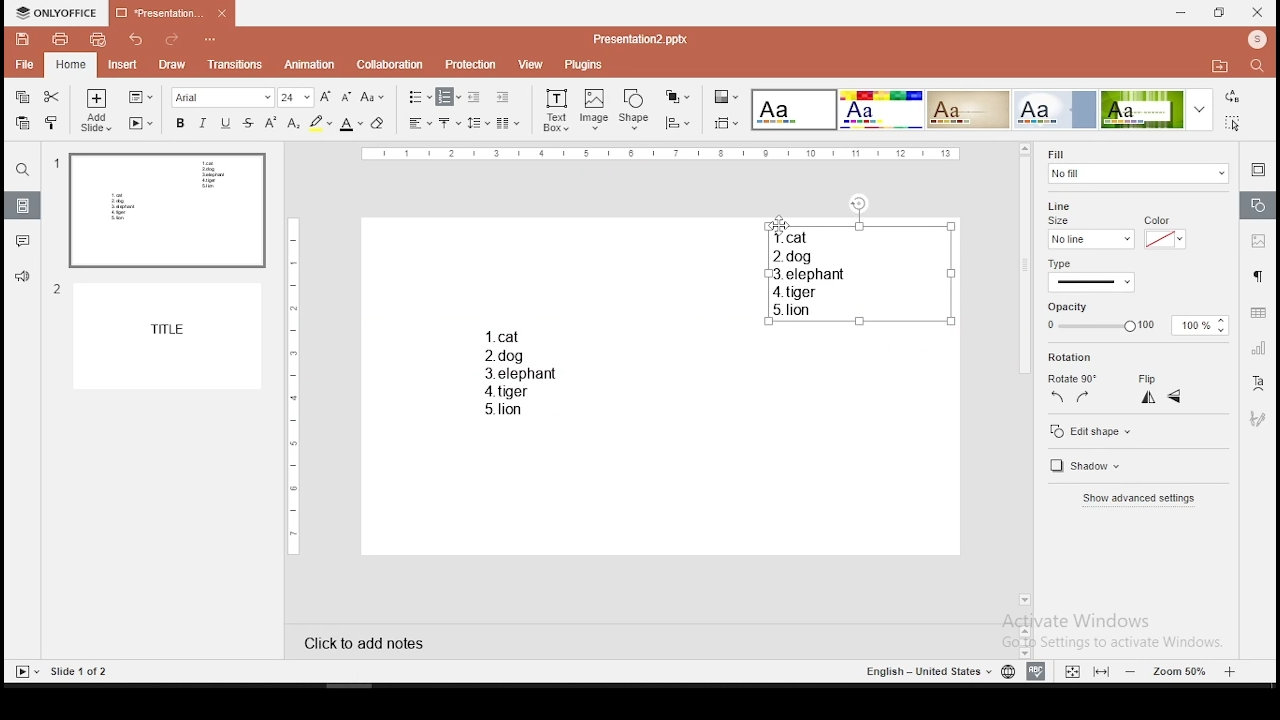 This screenshot has height=720, width=1280. Describe the element at coordinates (795, 110) in the screenshot. I see `theme` at that location.